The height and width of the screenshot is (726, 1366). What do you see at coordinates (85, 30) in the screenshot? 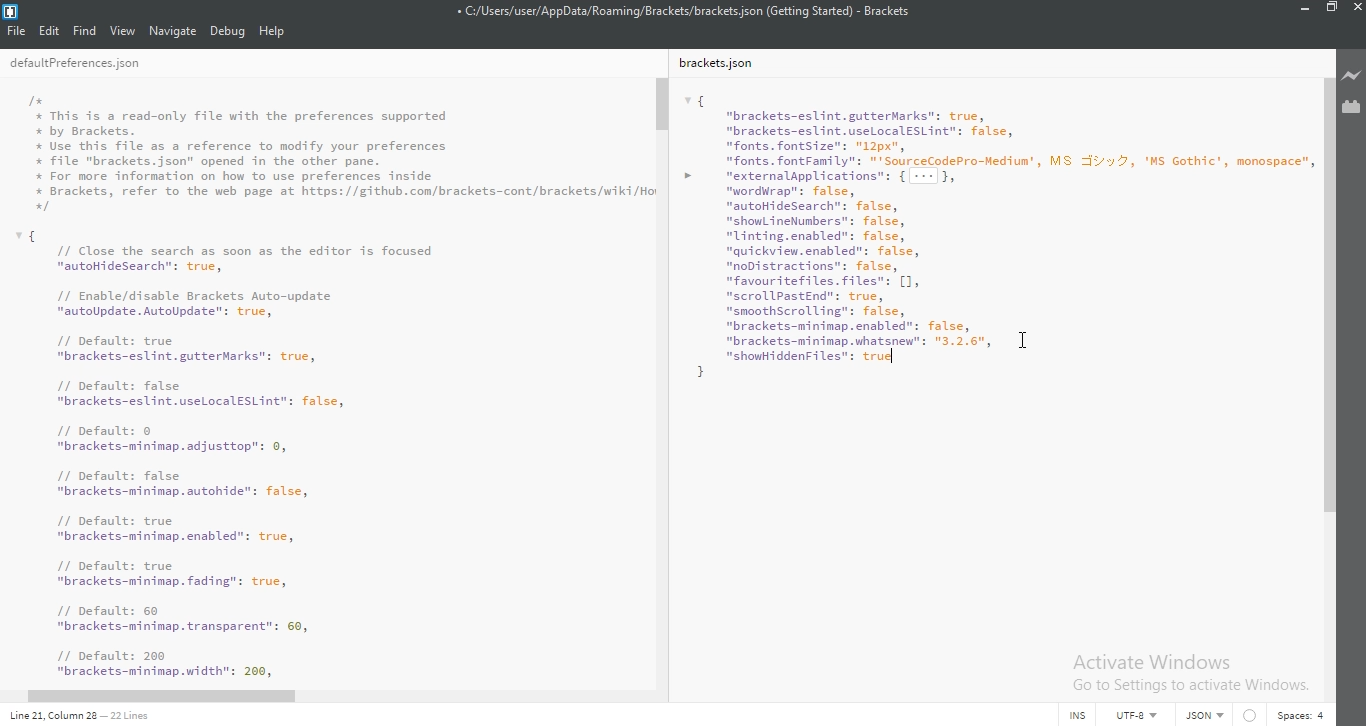
I see `Find` at bounding box center [85, 30].